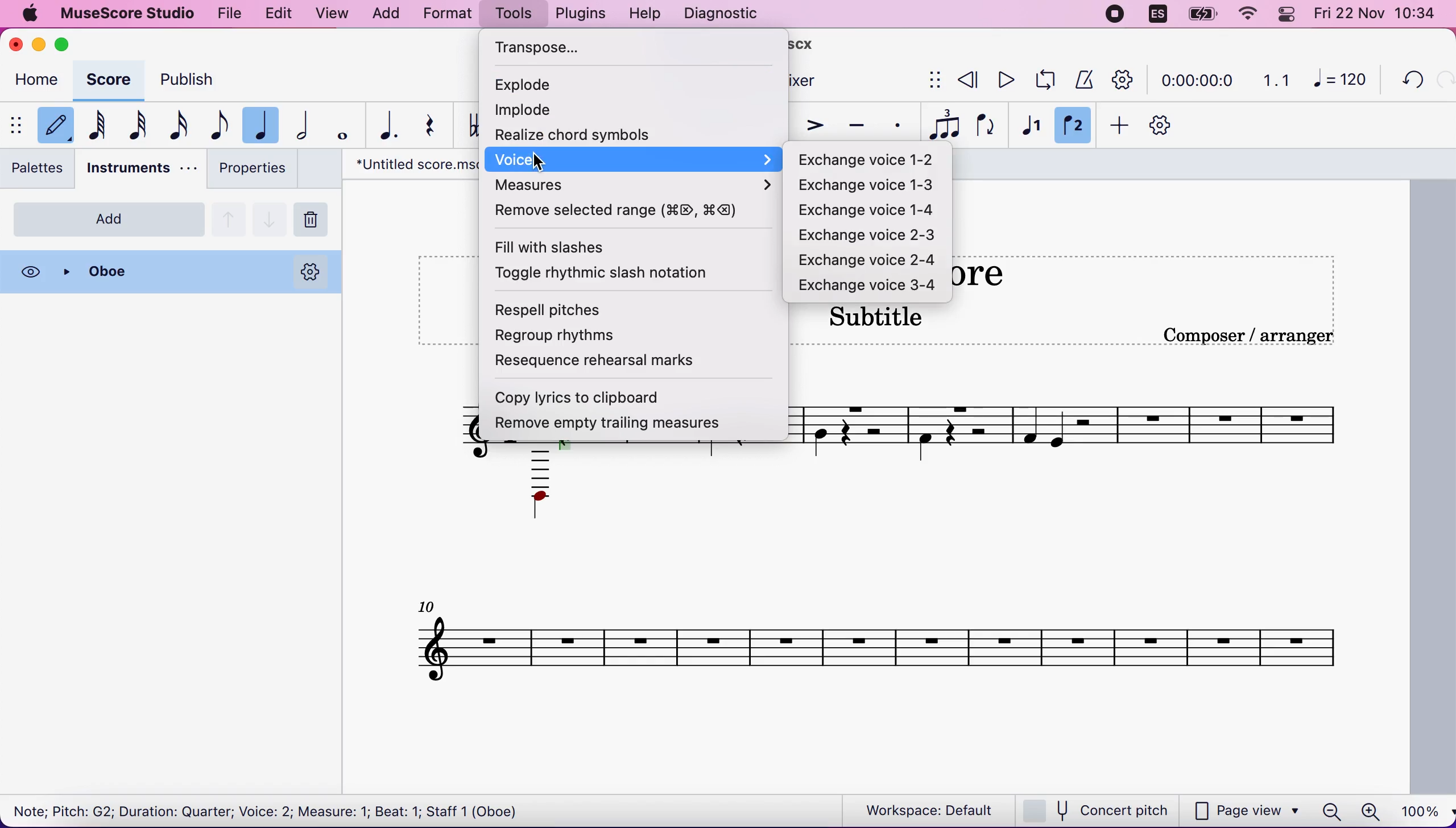 Image resolution: width=1456 pixels, height=828 pixels. Describe the element at coordinates (624, 213) in the screenshot. I see `remove selected range` at that location.